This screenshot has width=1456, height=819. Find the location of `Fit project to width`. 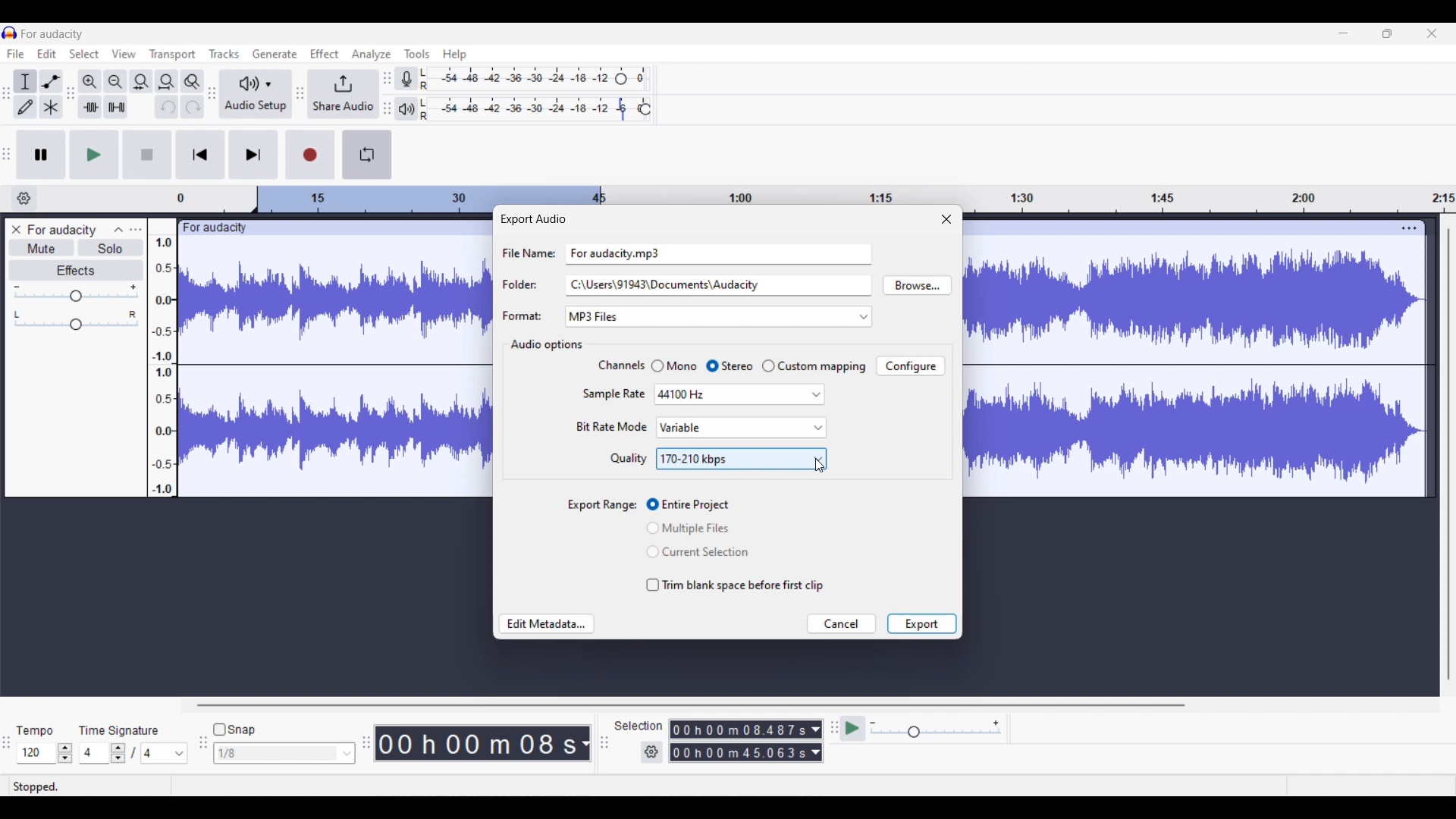

Fit project to width is located at coordinates (168, 82).